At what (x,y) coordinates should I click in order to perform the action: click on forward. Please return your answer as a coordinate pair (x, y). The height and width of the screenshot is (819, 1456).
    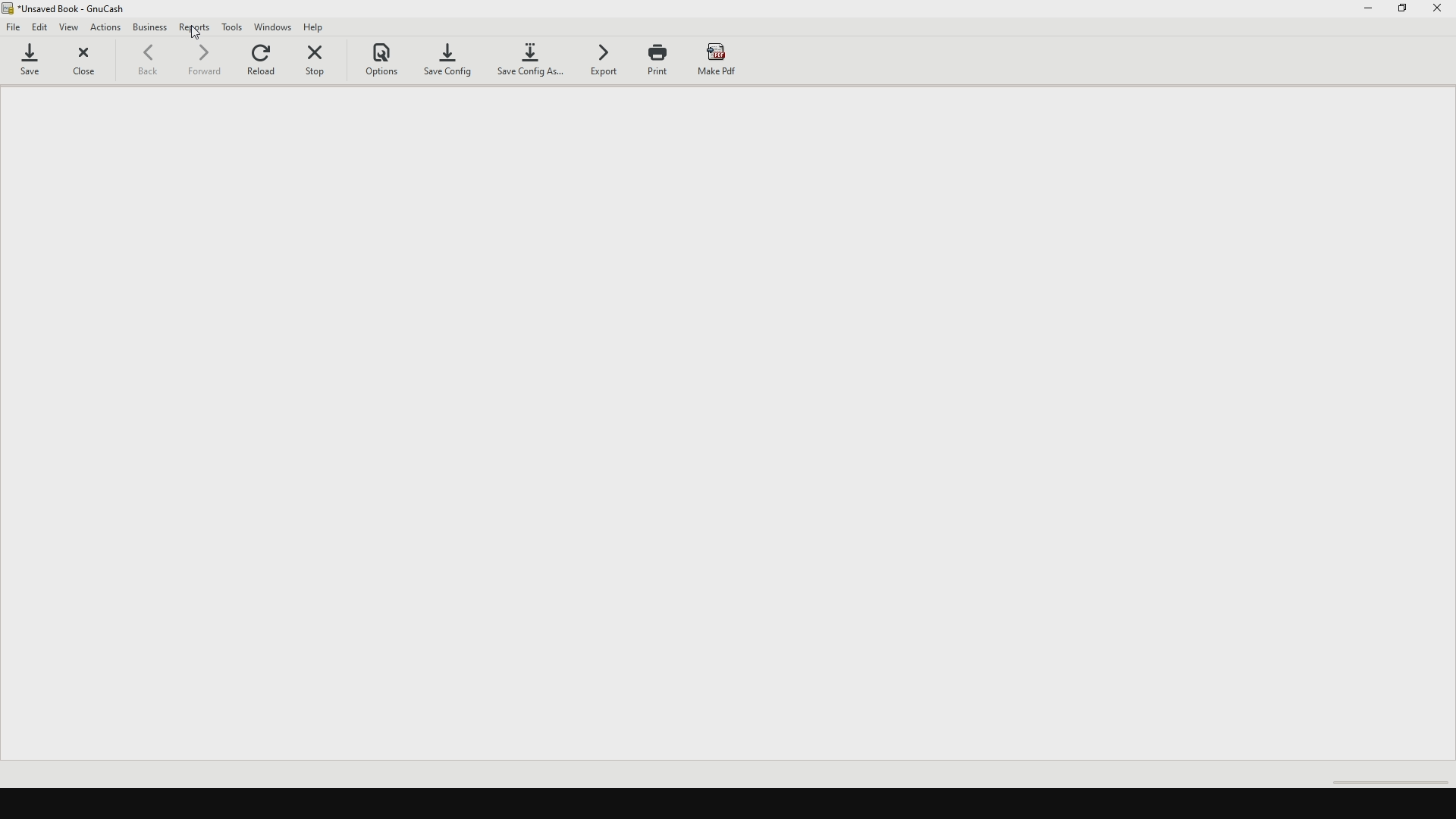
    Looking at the image, I should click on (206, 64).